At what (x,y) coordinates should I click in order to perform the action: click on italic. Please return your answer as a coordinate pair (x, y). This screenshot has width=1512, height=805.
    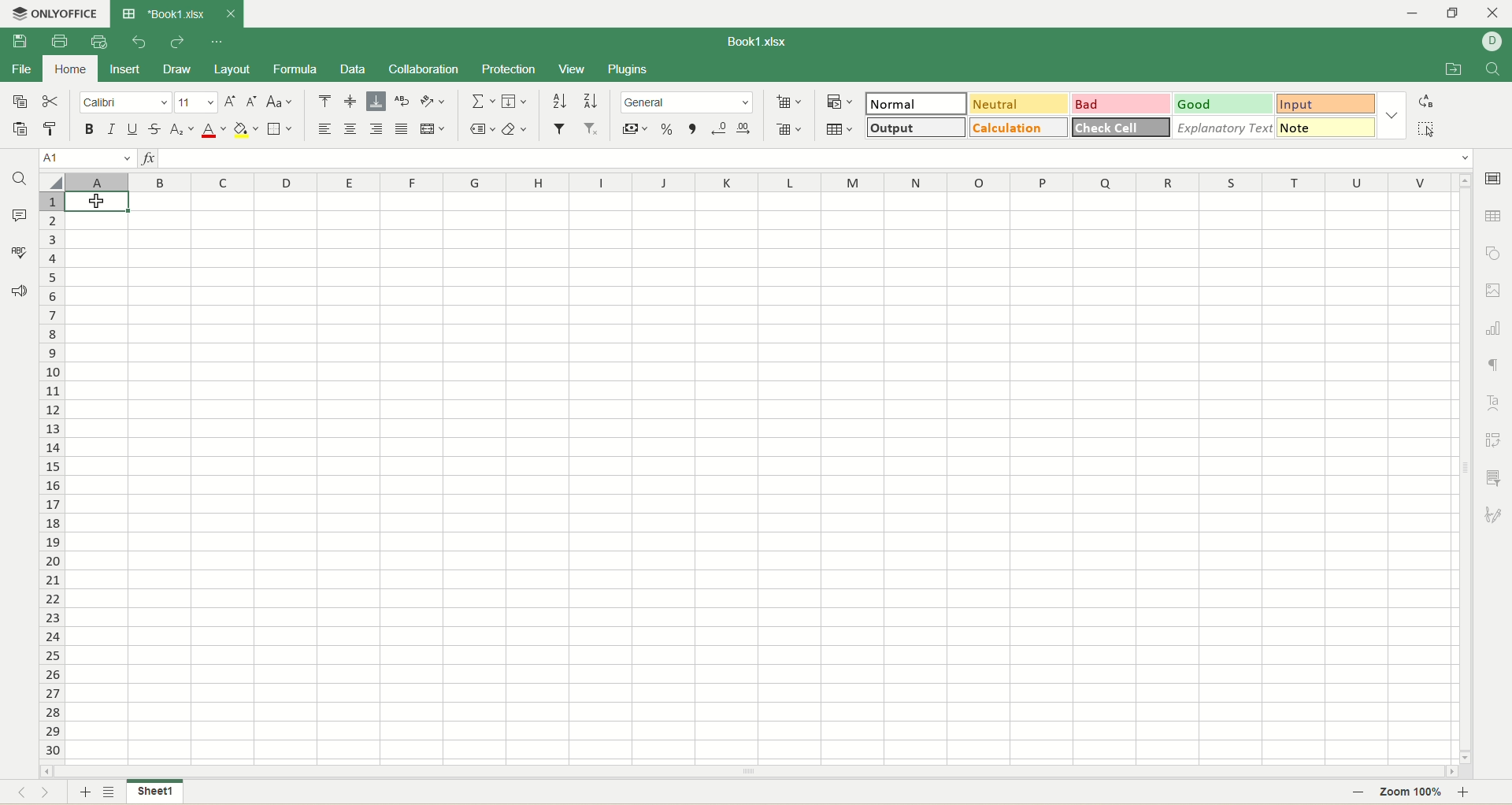
    Looking at the image, I should click on (113, 128).